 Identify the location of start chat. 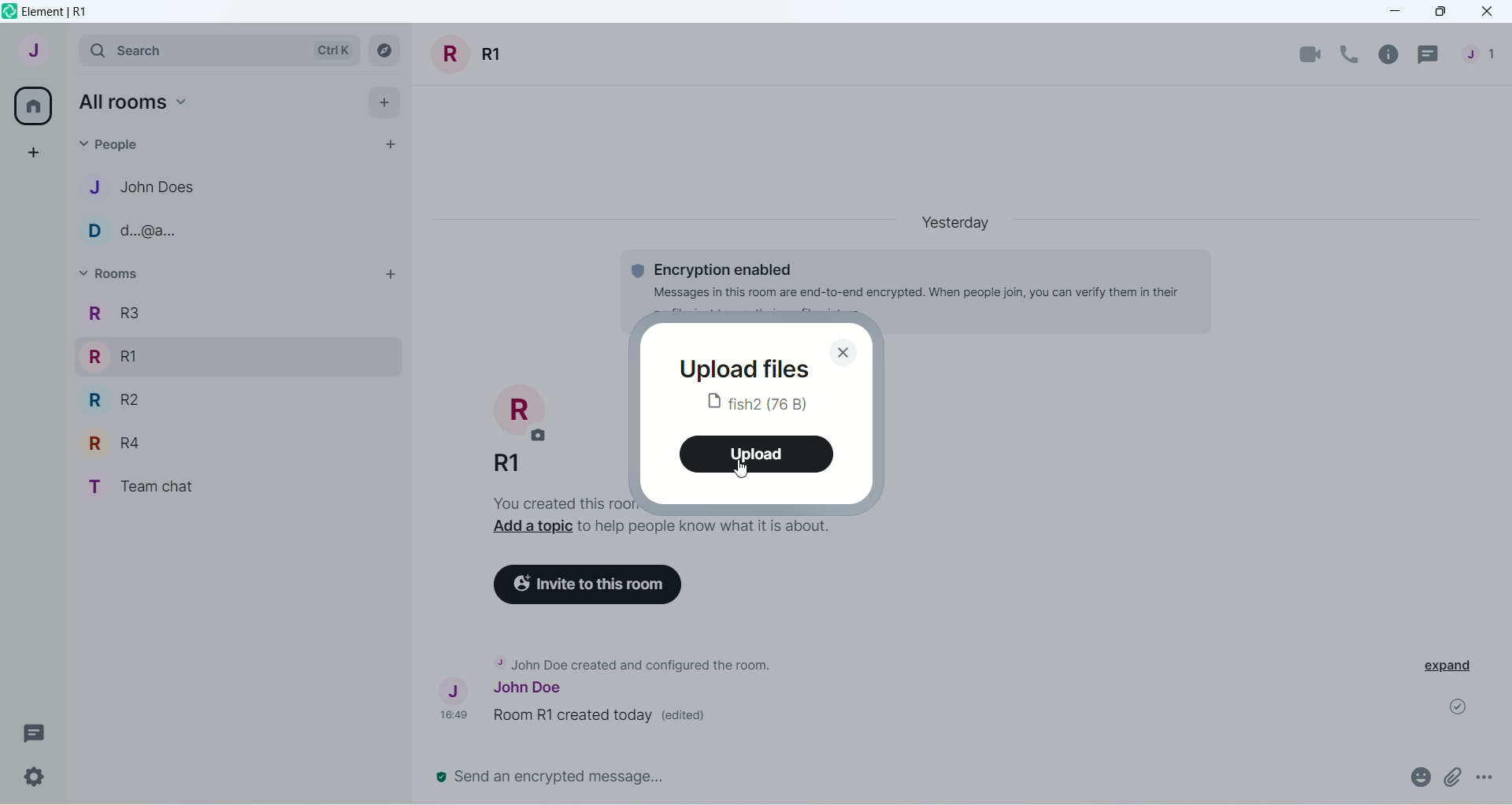
(393, 143).